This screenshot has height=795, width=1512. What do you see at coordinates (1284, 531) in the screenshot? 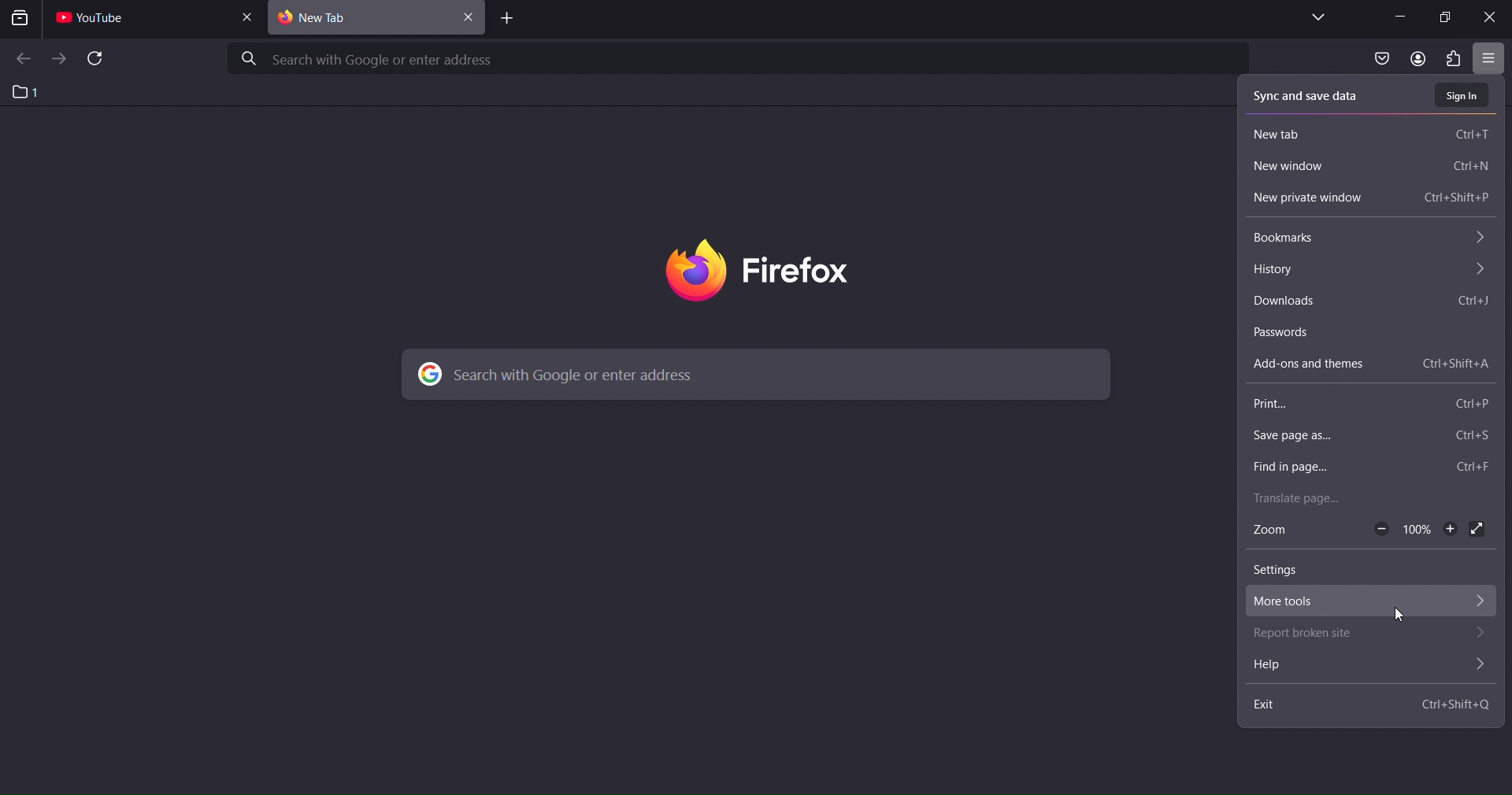
I see `zoom ` at bounding box center [1284, 531].